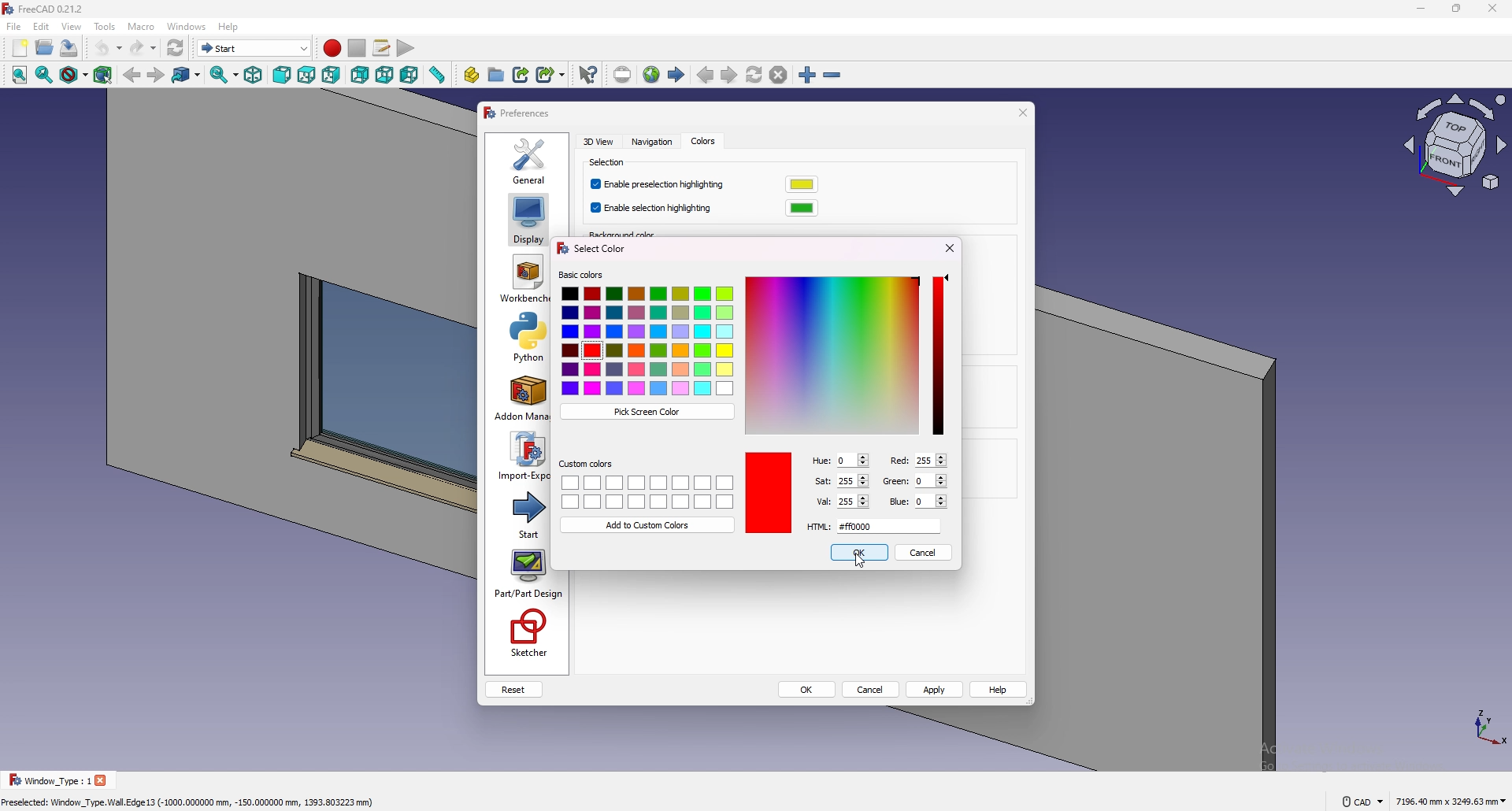 The height and width of the screenshot is (811, 1512). I want to click on close, so click(104, 780).